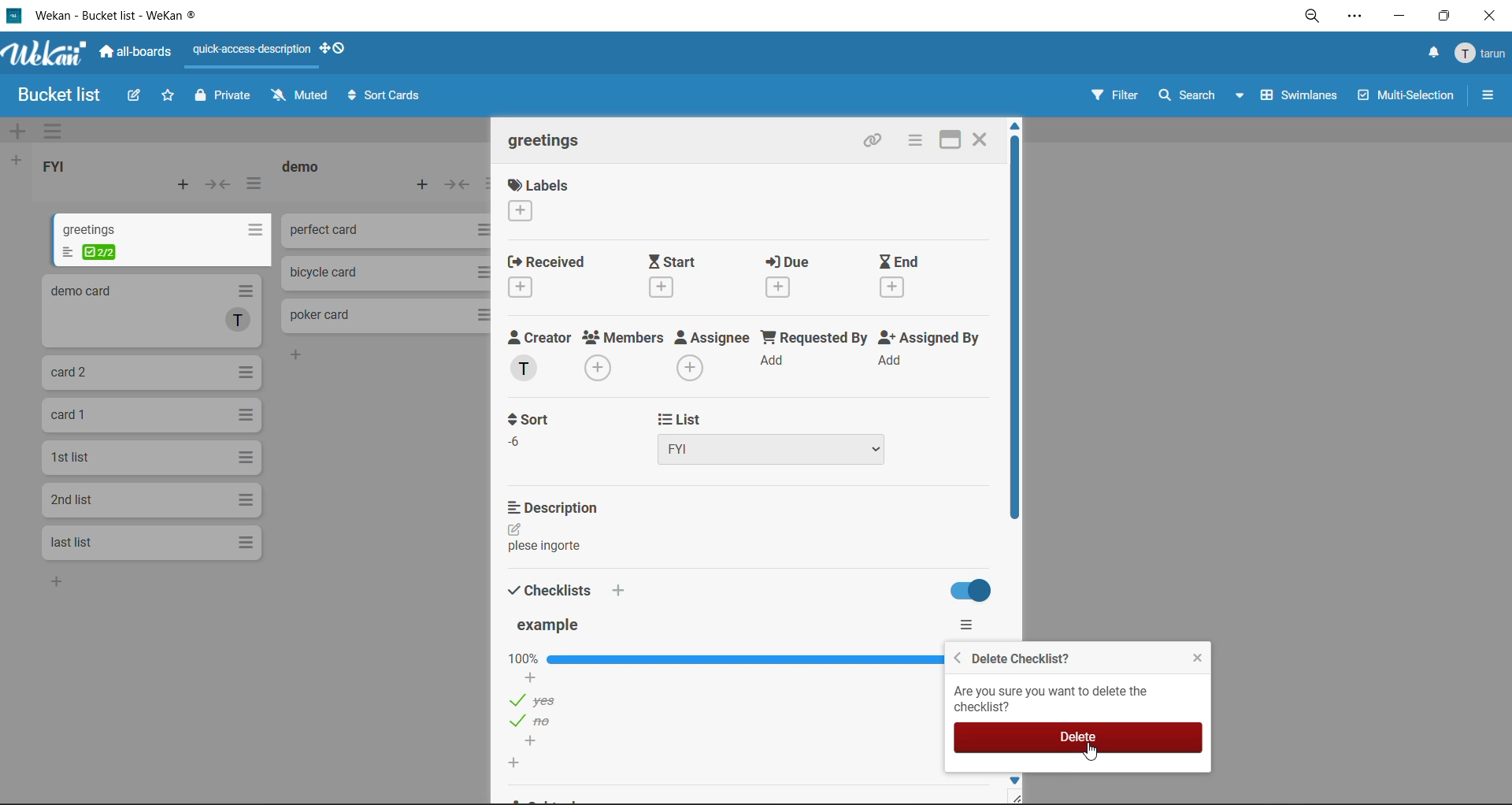 This screenshot has width=1512, height=805. Describe the element at coordinates (338, 46) in the screenshot. I see `show desktop drag handles` at that location.